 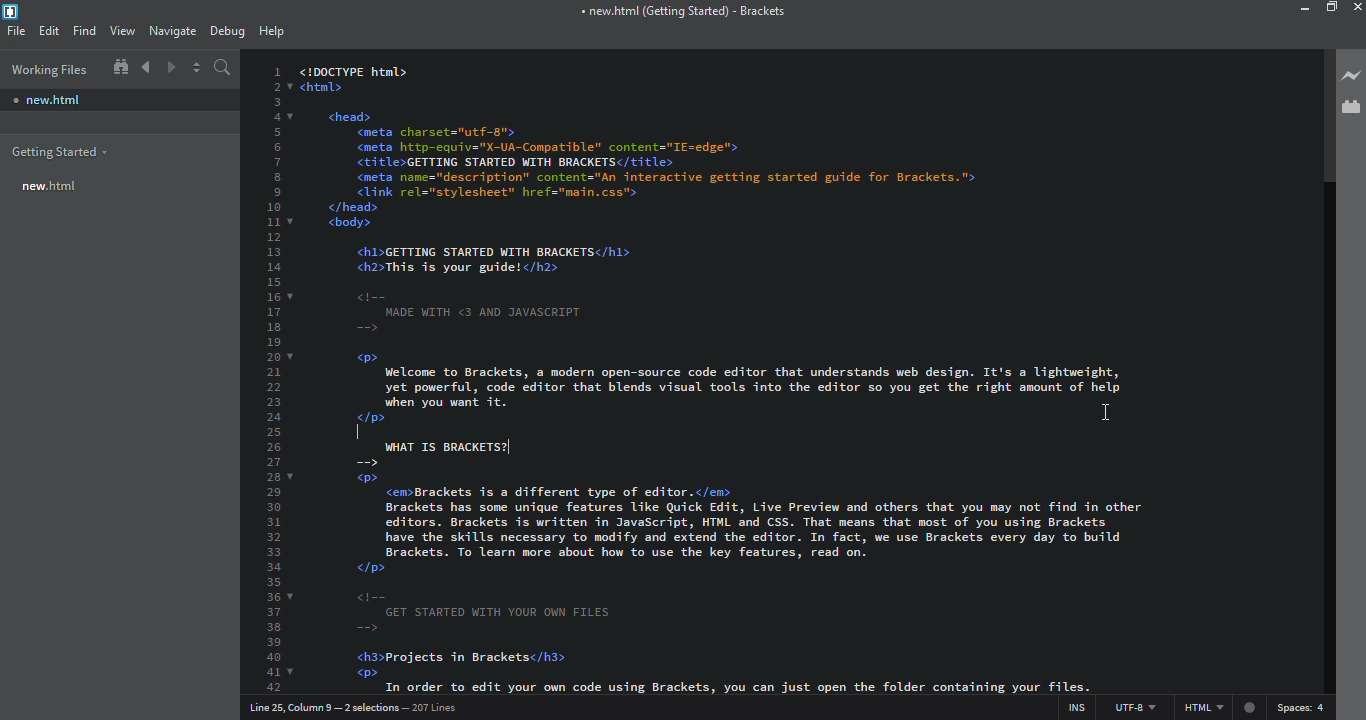 I want to click on test code, so click(x=740, y=567).